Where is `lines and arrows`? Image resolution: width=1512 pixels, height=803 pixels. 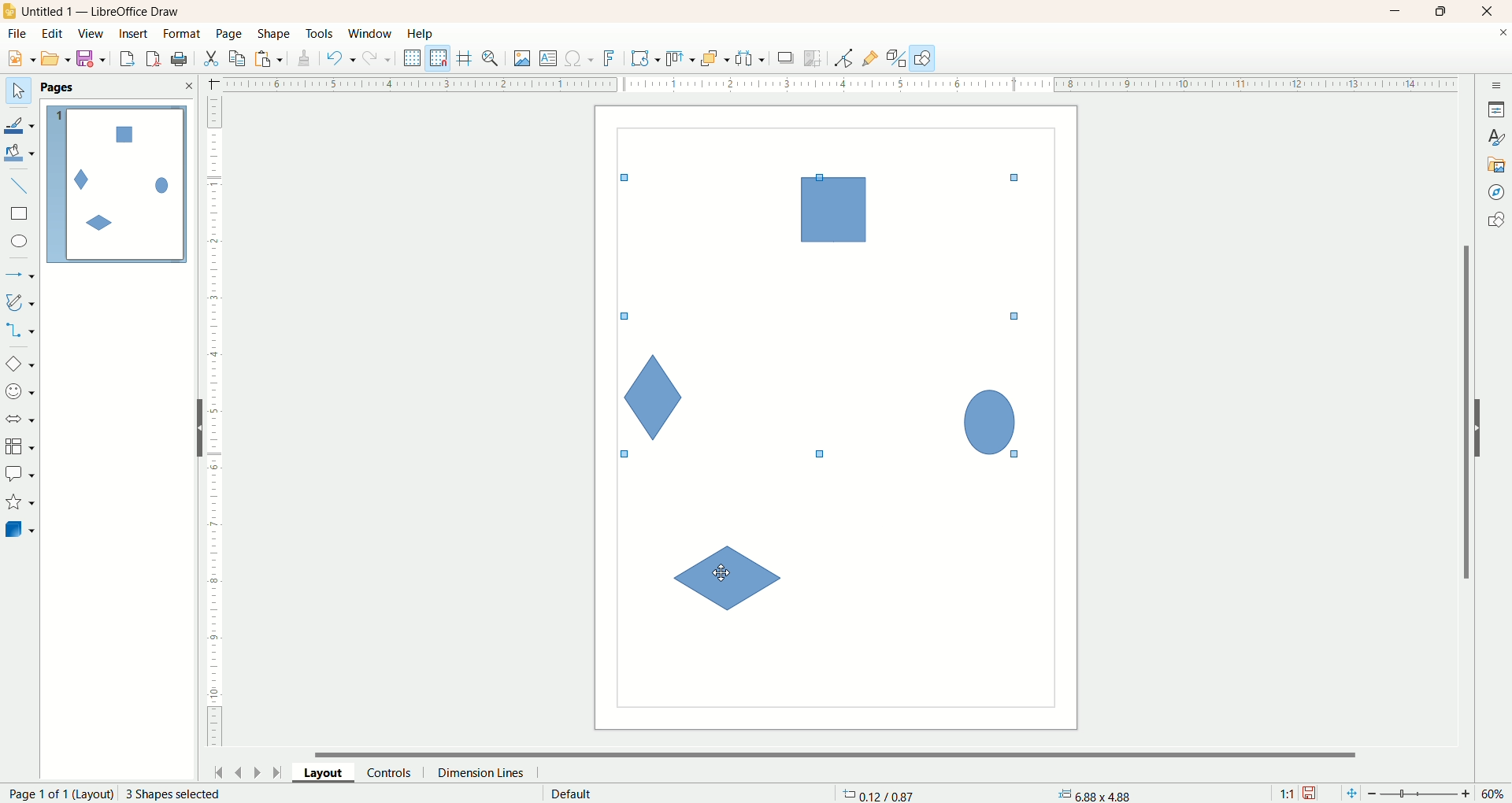 lines and arrows is located at coordinates (21, 276).